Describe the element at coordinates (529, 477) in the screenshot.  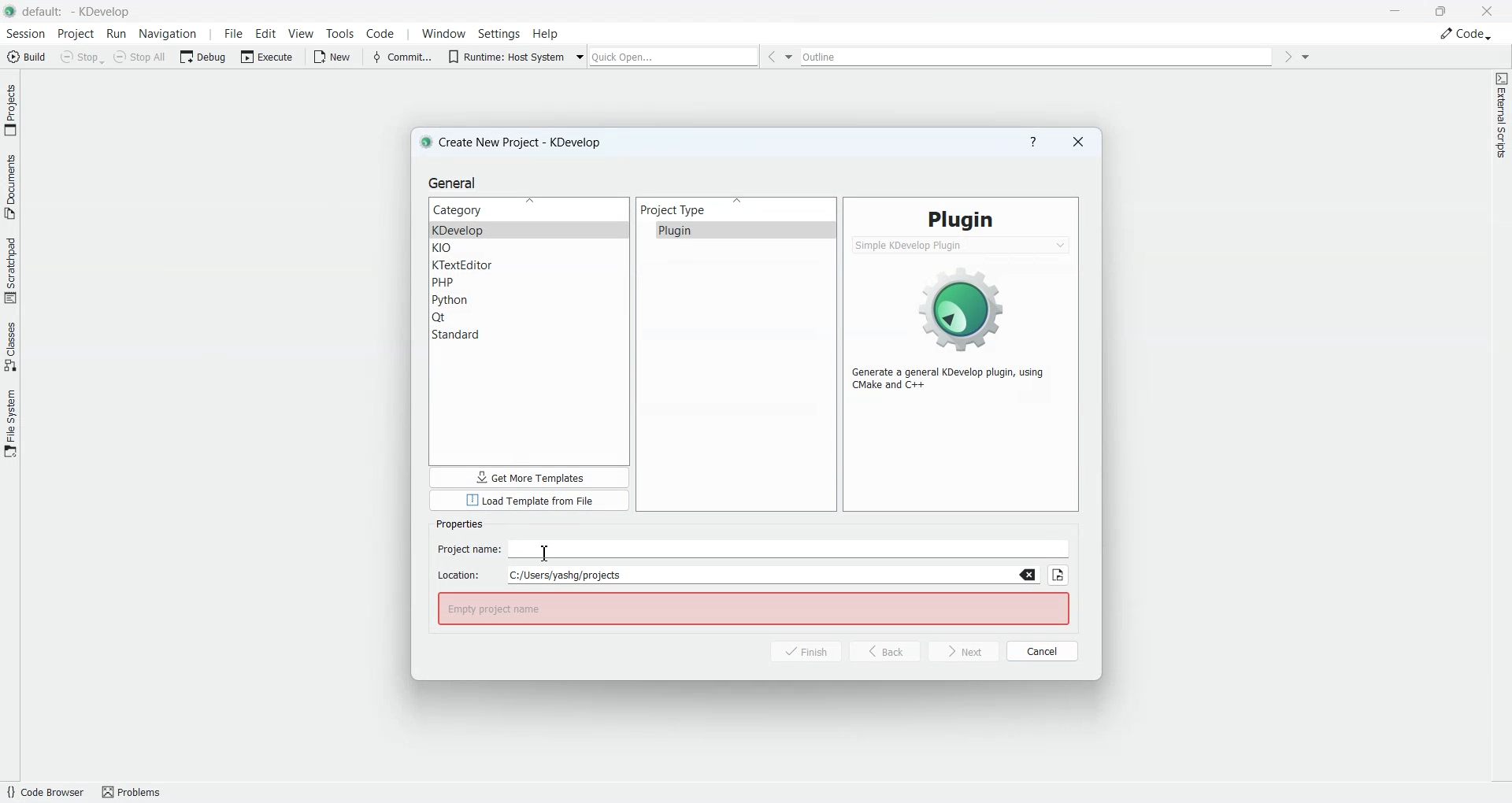
I see `Get more Template` at that location.